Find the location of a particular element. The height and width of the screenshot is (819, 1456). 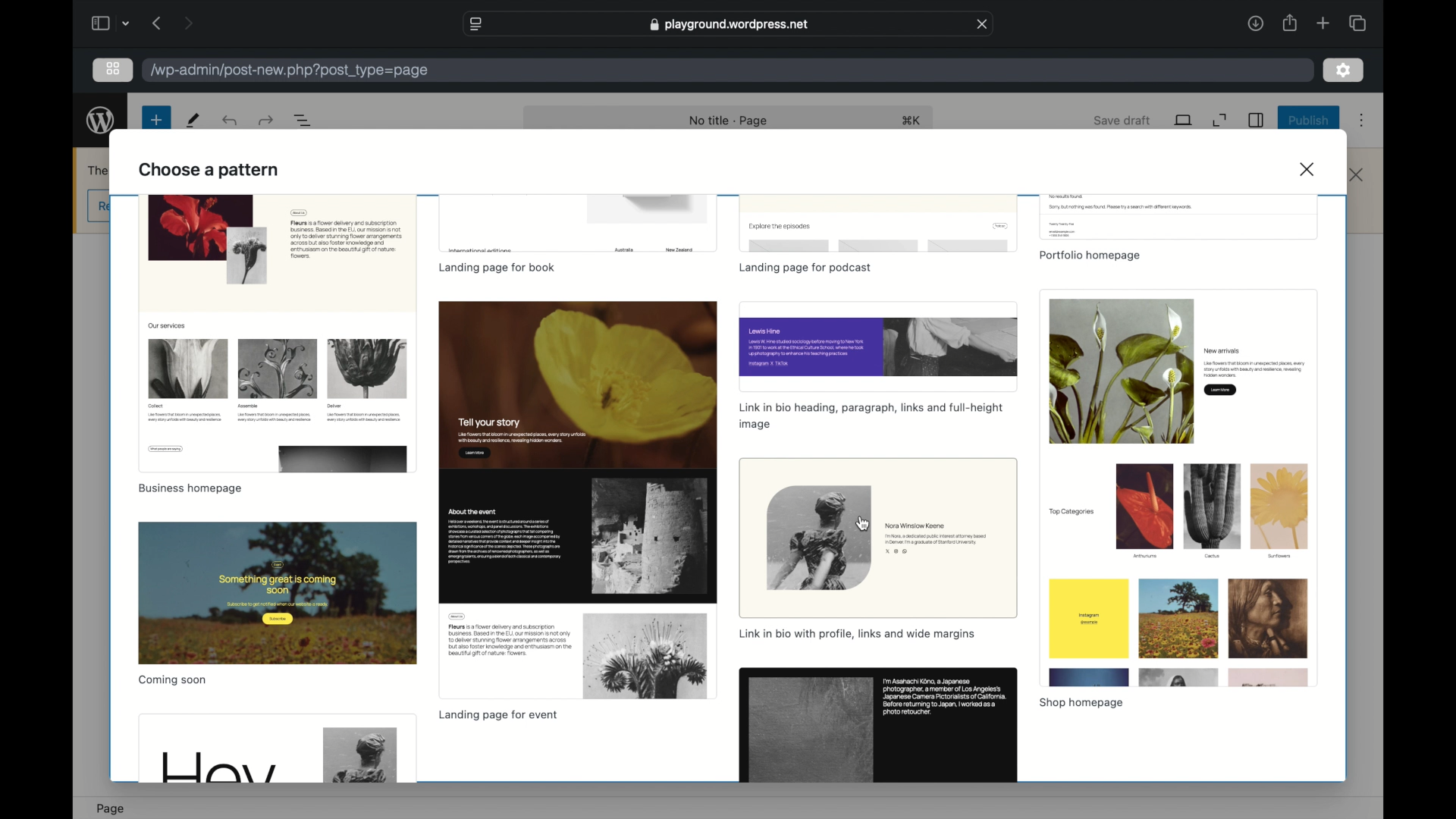

expand is located at coordinates (1219, 121).